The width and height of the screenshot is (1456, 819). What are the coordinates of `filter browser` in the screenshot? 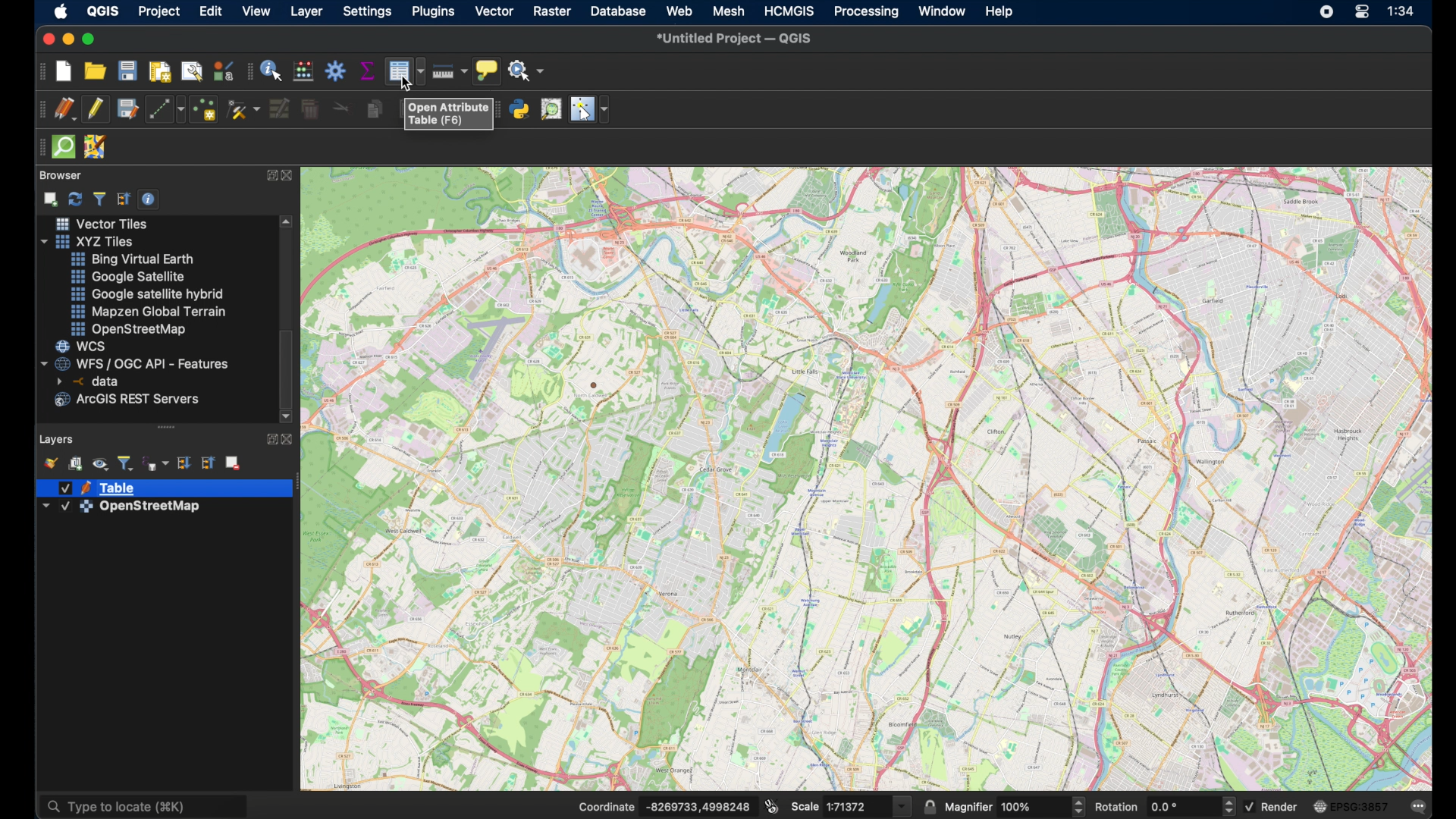 It's located at (99, 199).